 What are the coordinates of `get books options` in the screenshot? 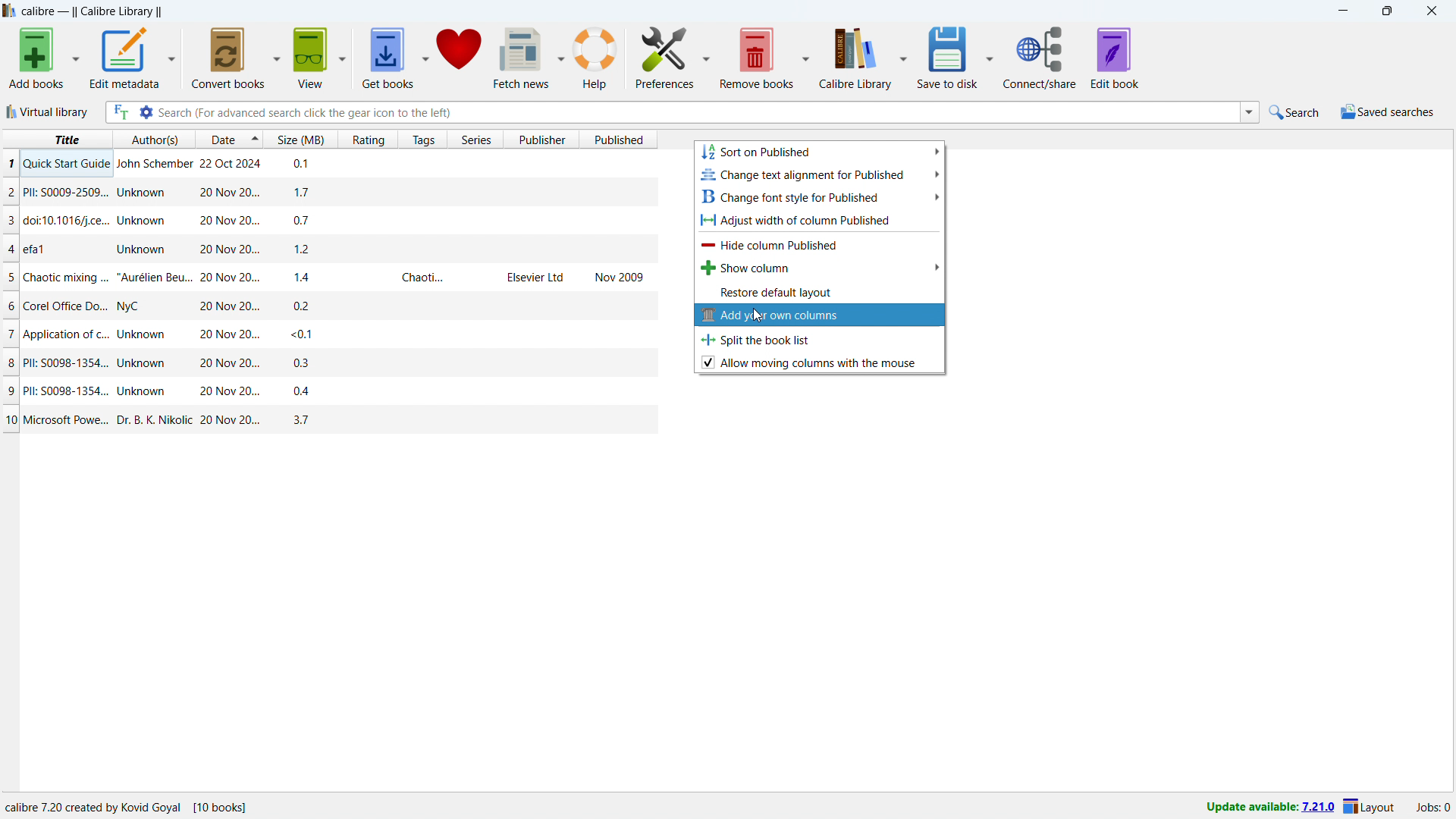 It's located at (425, 58).